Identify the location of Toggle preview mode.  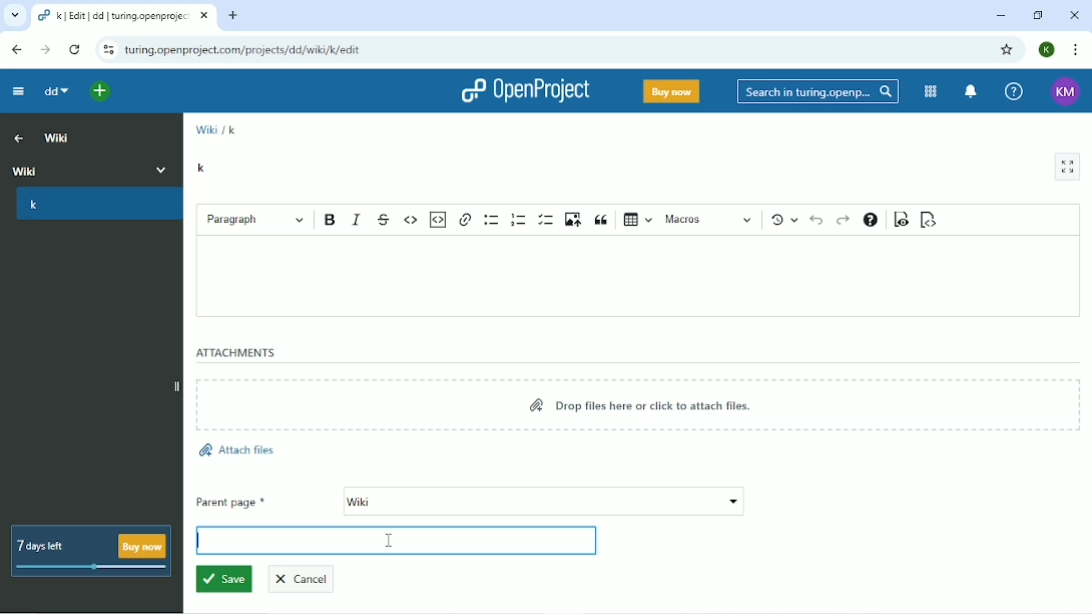
(899, 221).